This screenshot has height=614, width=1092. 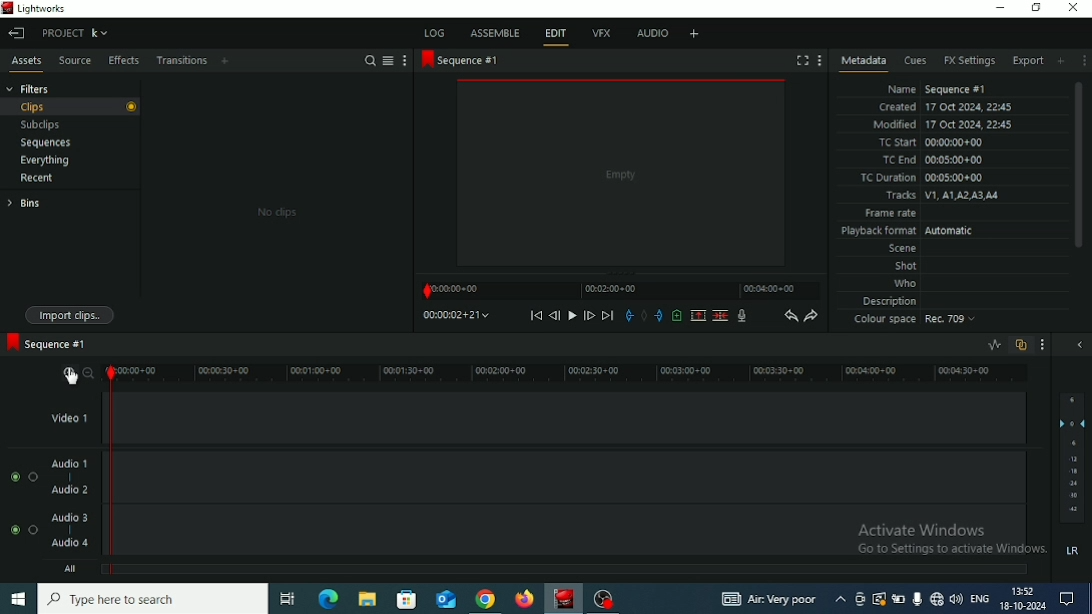 What do you see at coordinates (930, 142) in the screenshot?
I see `TC Start` at bounding box center [930, 142].